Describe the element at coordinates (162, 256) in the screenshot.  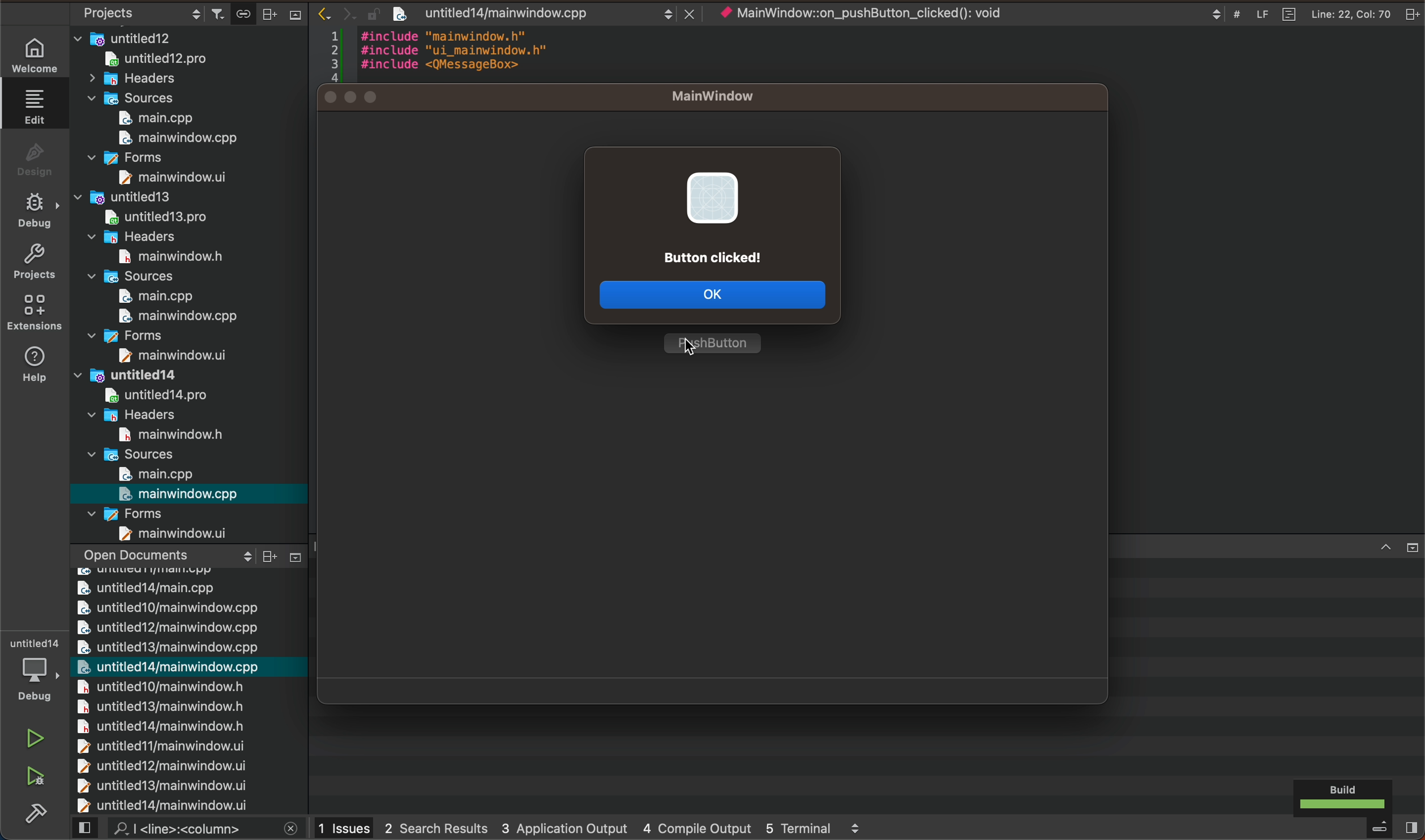
I see `main window` at that location.